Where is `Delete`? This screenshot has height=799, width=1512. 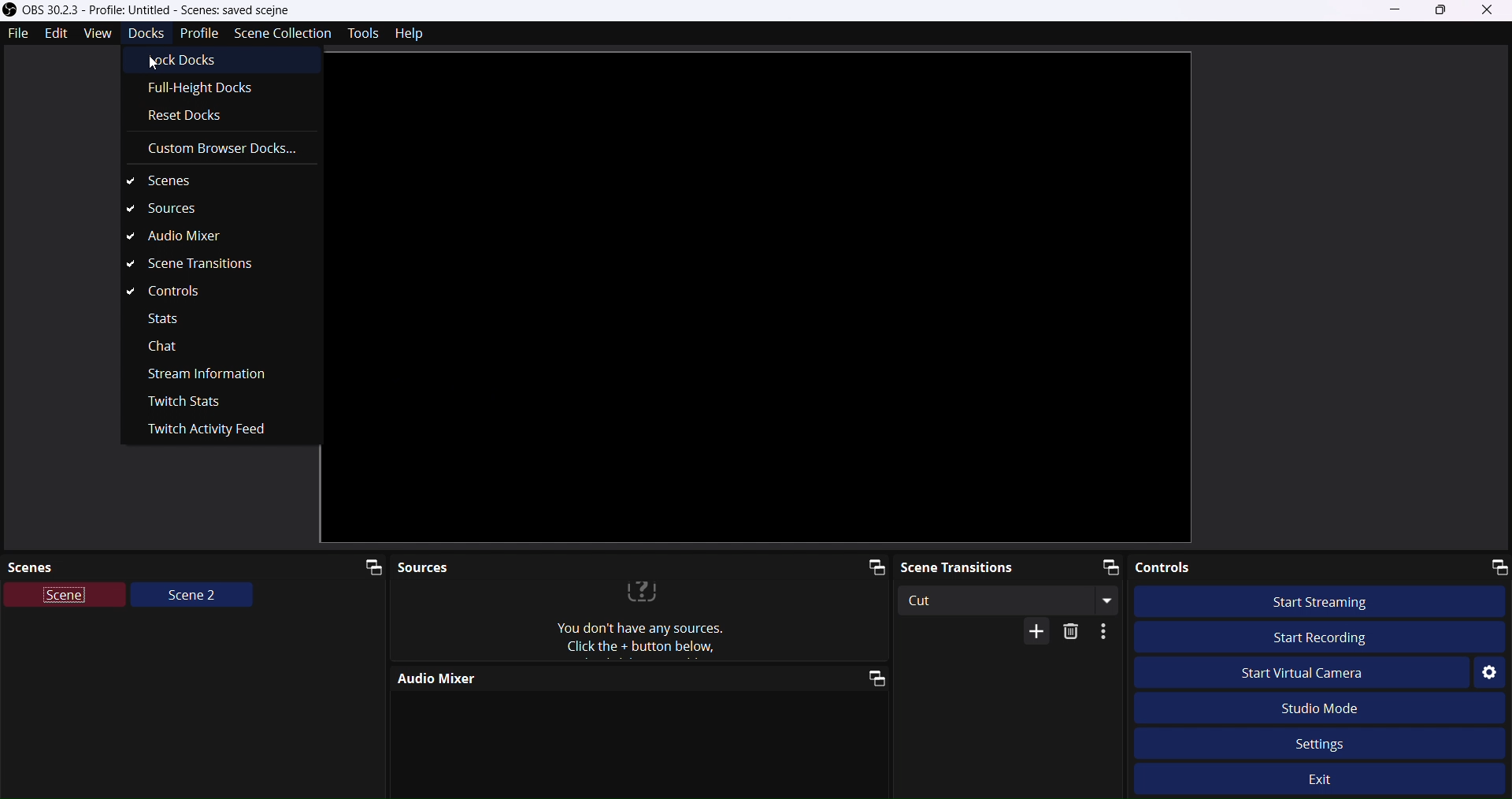 Delete is located at coordinates (1074, 632).